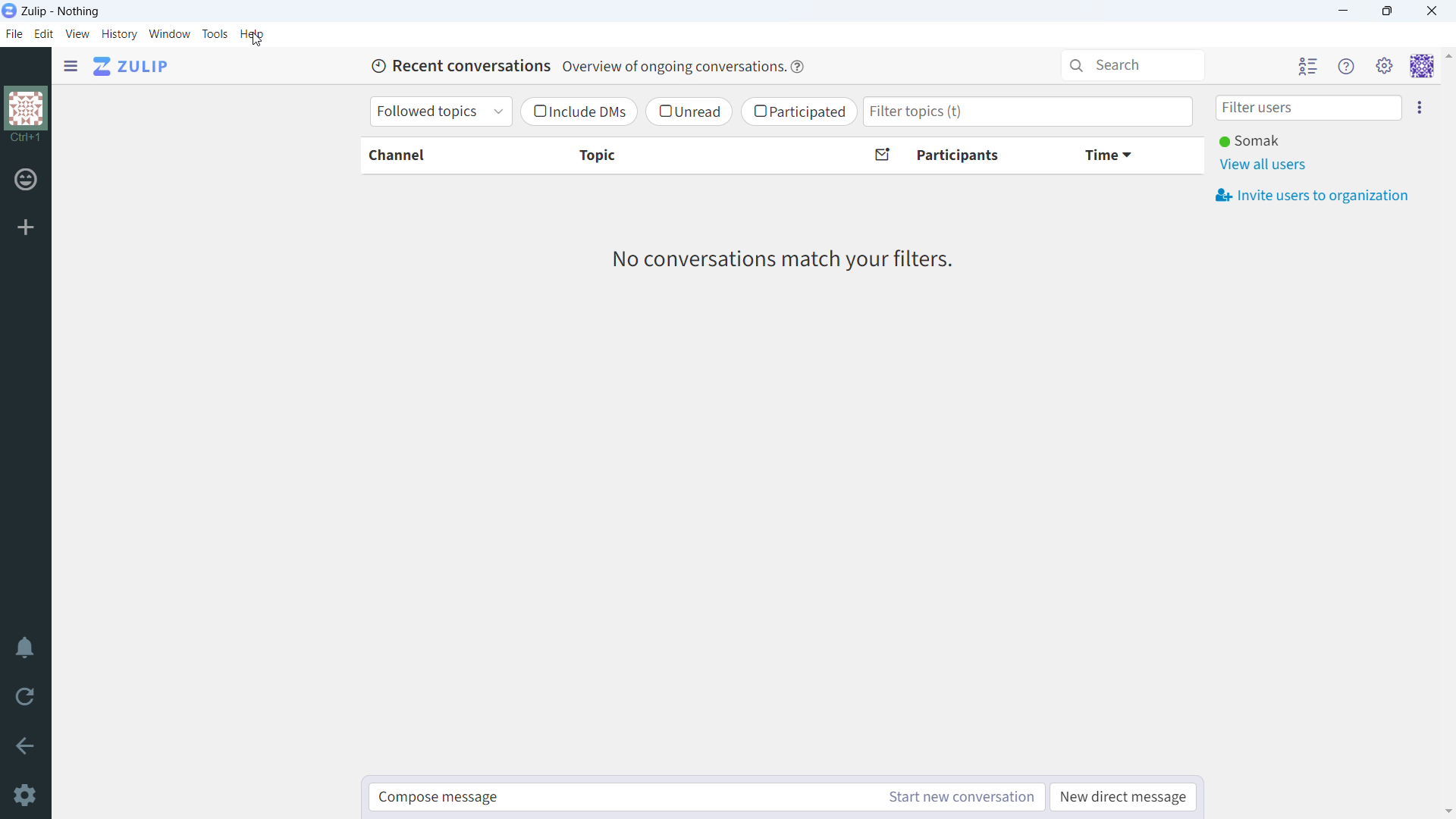  What do you see at coordinates (1305, 107) in the screenshot?
I see `filter users` at bounding box center [1305, 107].